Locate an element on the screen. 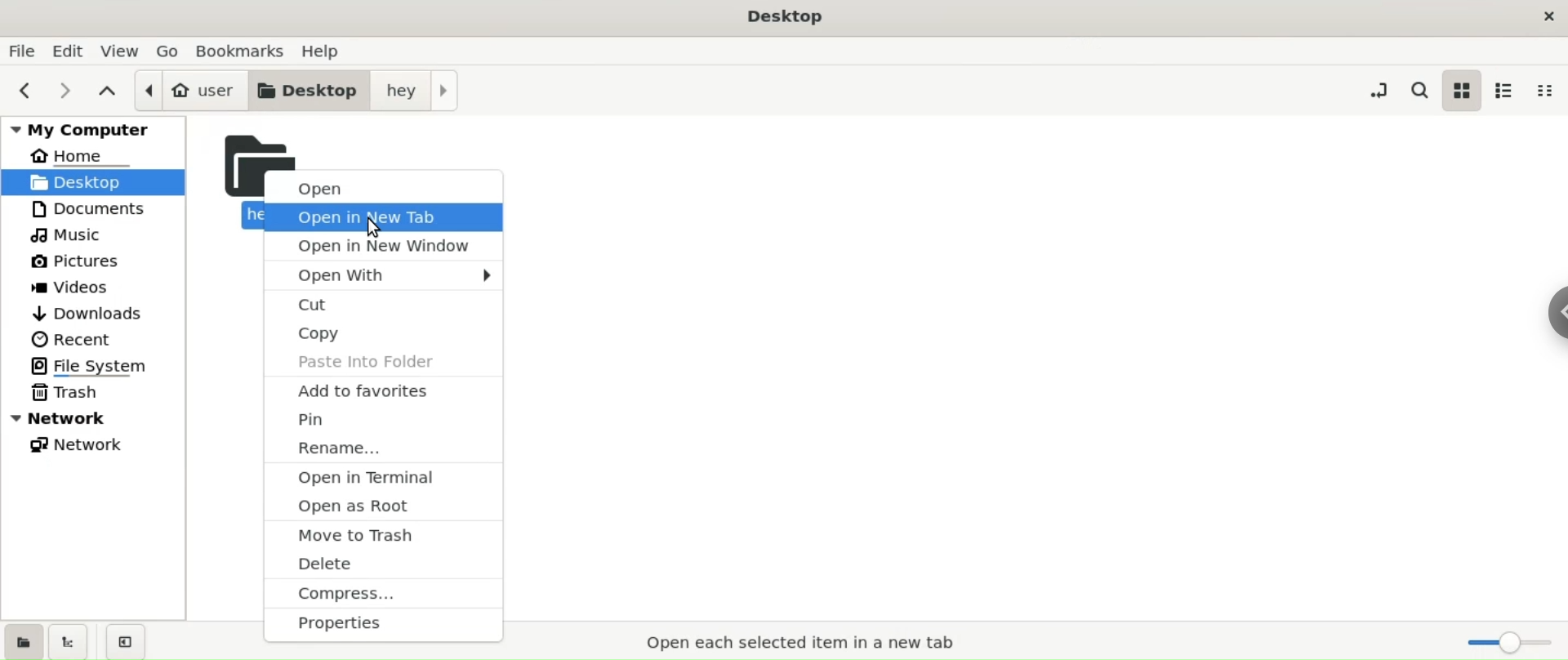  show treeview is located at coordinates (71, 640).